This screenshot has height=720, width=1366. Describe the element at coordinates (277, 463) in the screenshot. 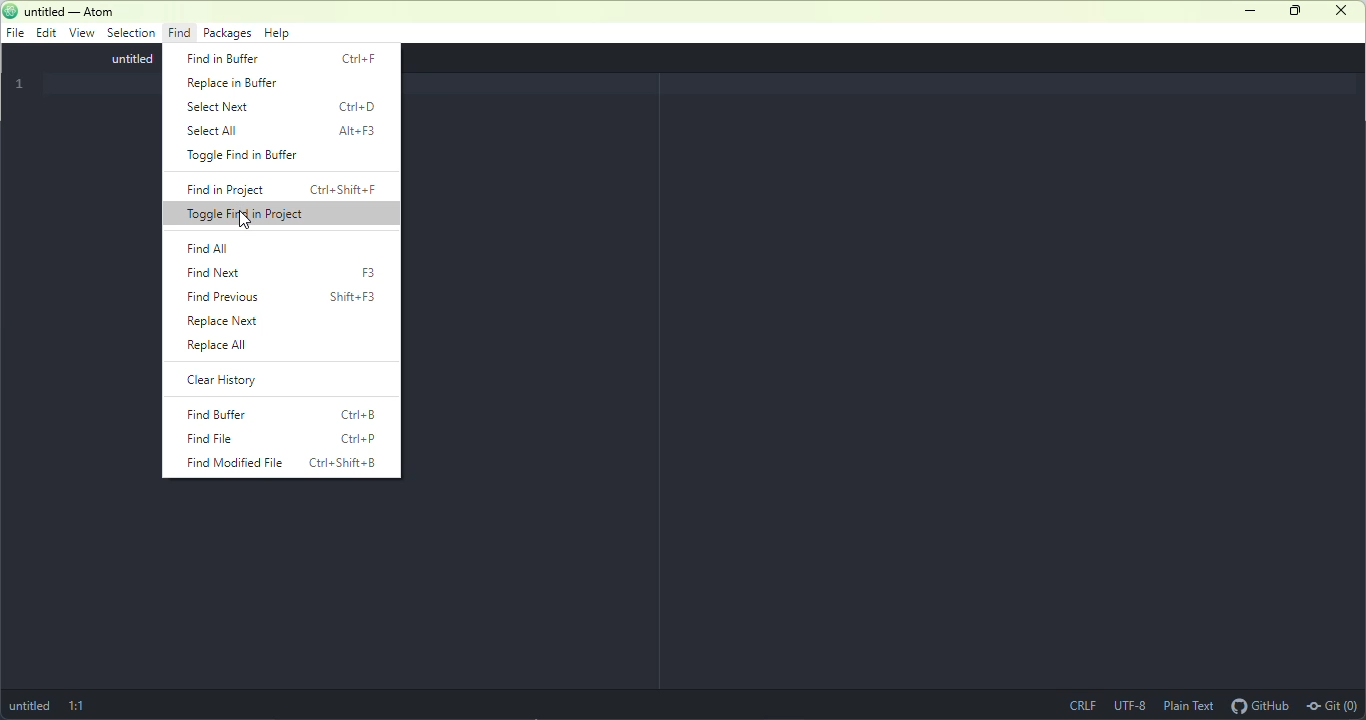

I see `find modified file` at that location.